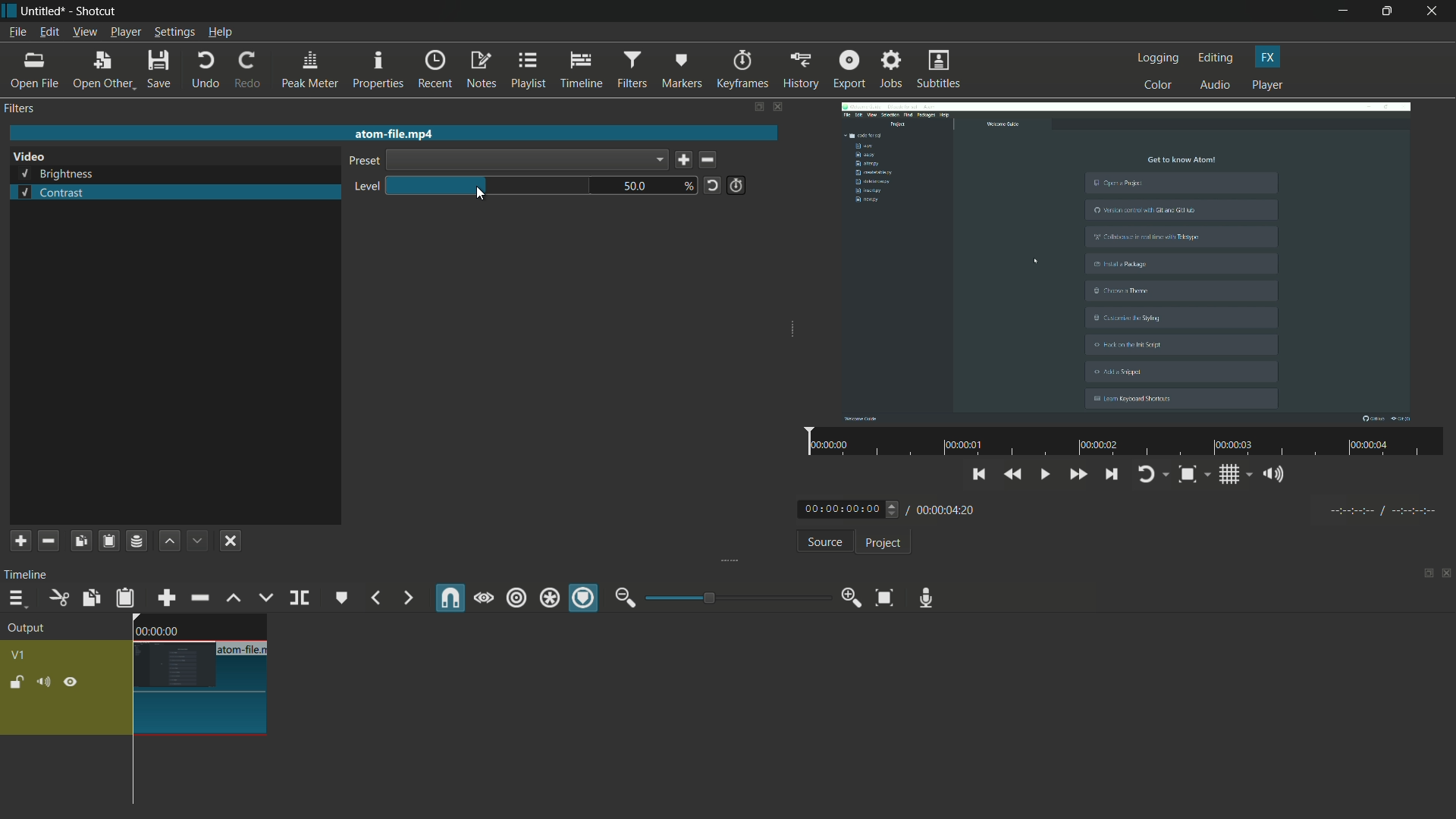  Describe the element at coordinates (1268, 57) in the screenshot. I see `fx` at that location.